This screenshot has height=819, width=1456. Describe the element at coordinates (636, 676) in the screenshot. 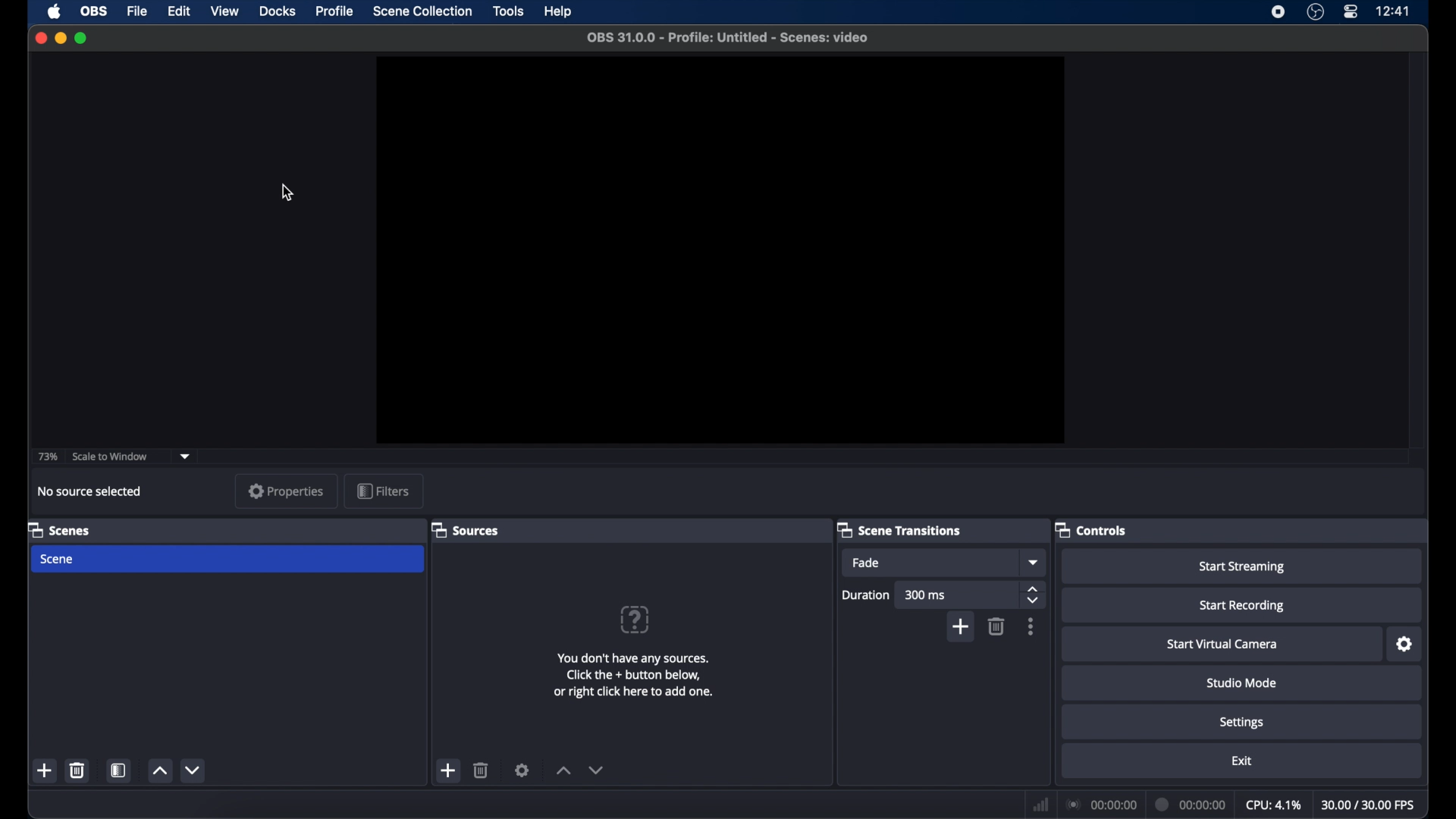

I see `You don't have any sources.
Click the + button below,
or right click here to add one.` at that location.